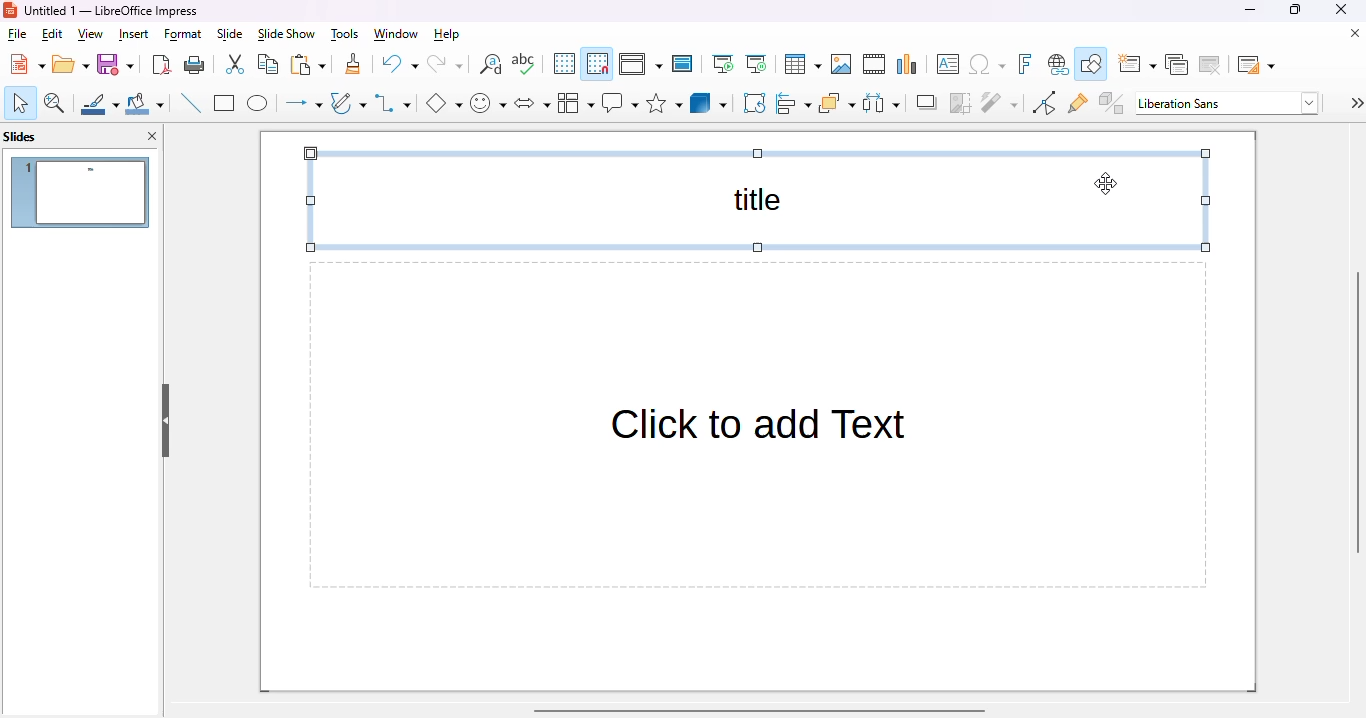 The image size is (1366, 718). I want to click on insert special characters, so click(987, 64).